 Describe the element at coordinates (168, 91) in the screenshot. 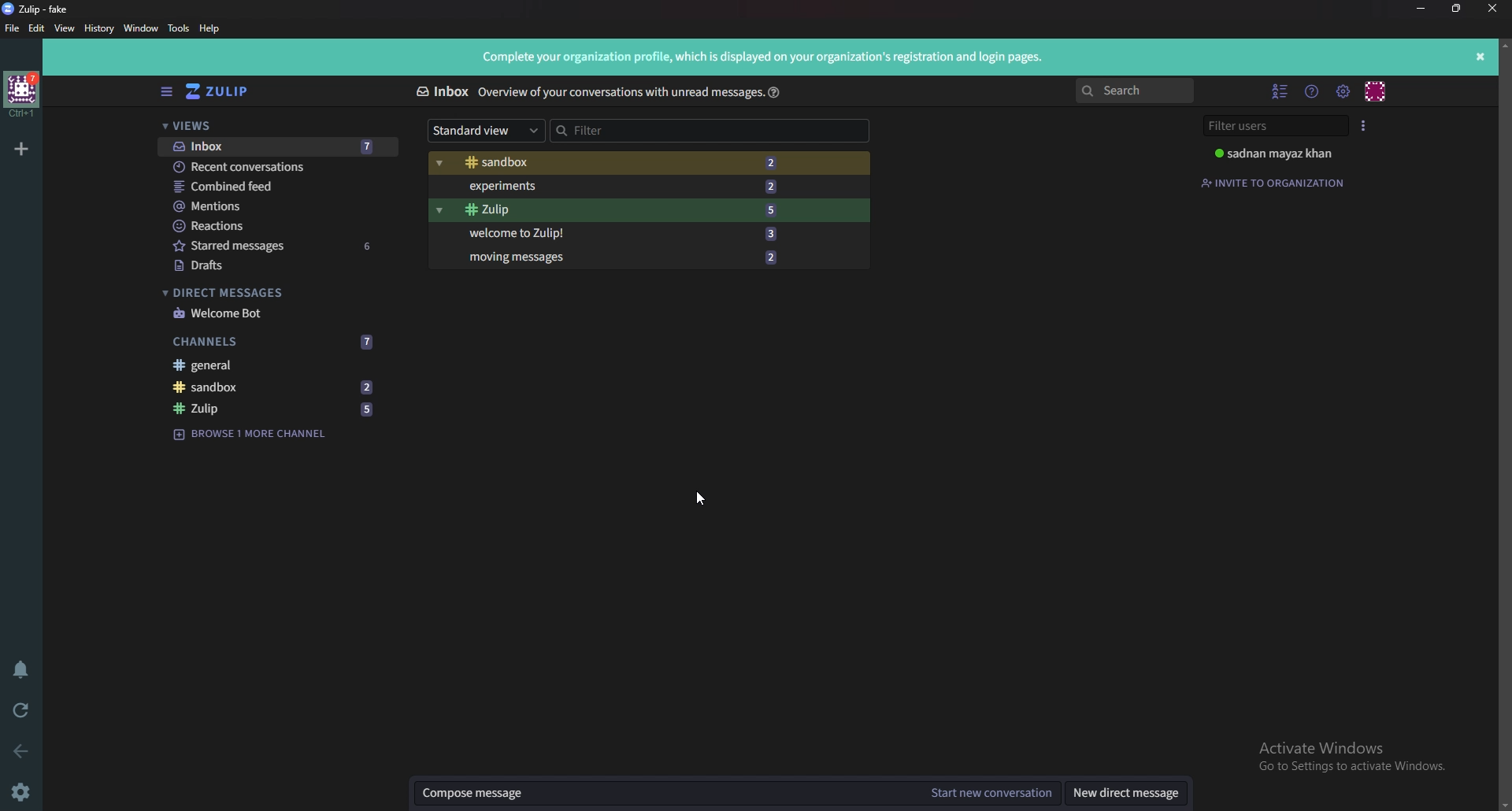

I see `Hide sidebar` at that location.